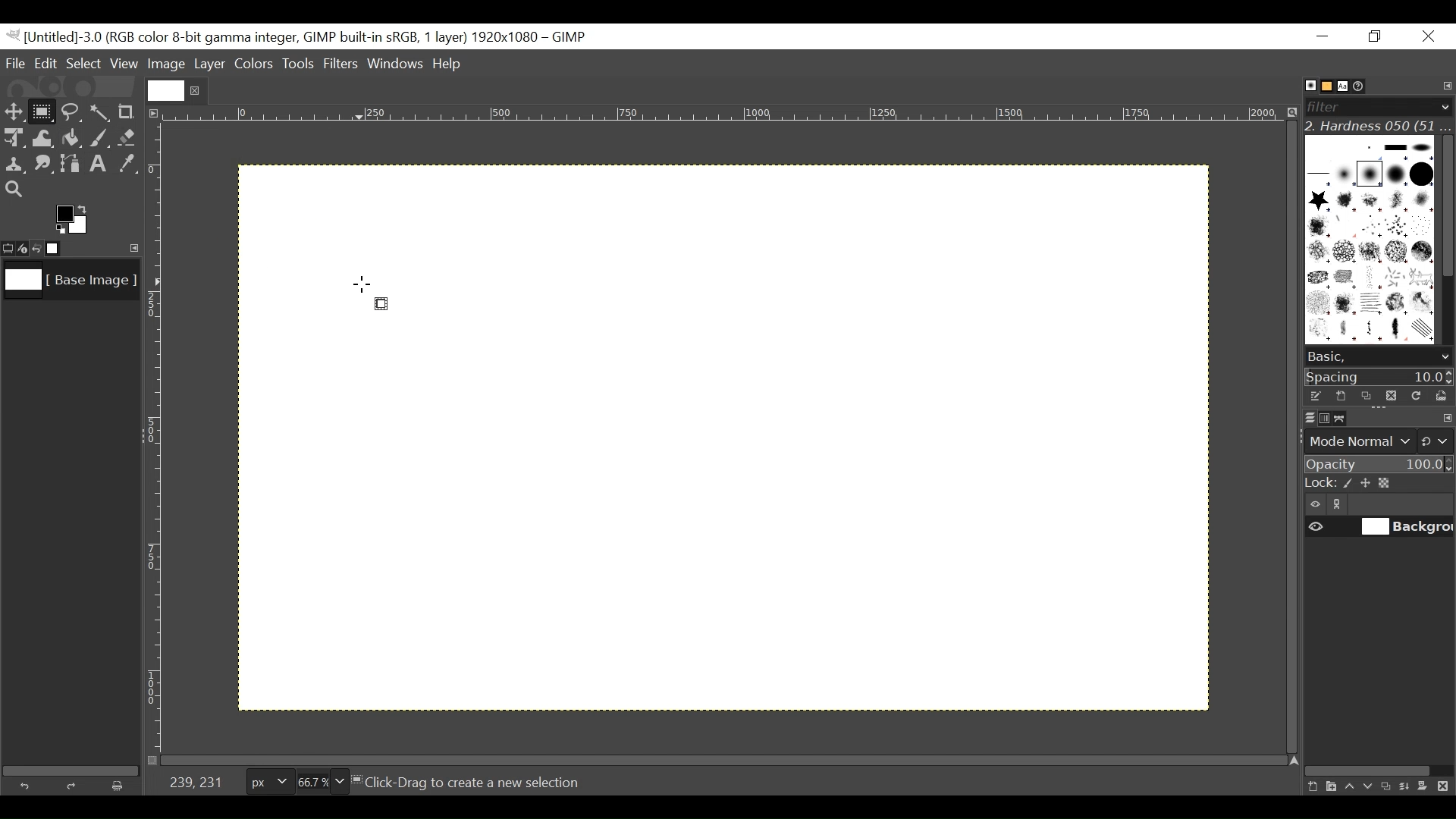 The image size is (1456, 819). Describe the element at coordinates (197, 90) in the screenshot. I see `close` at that location.